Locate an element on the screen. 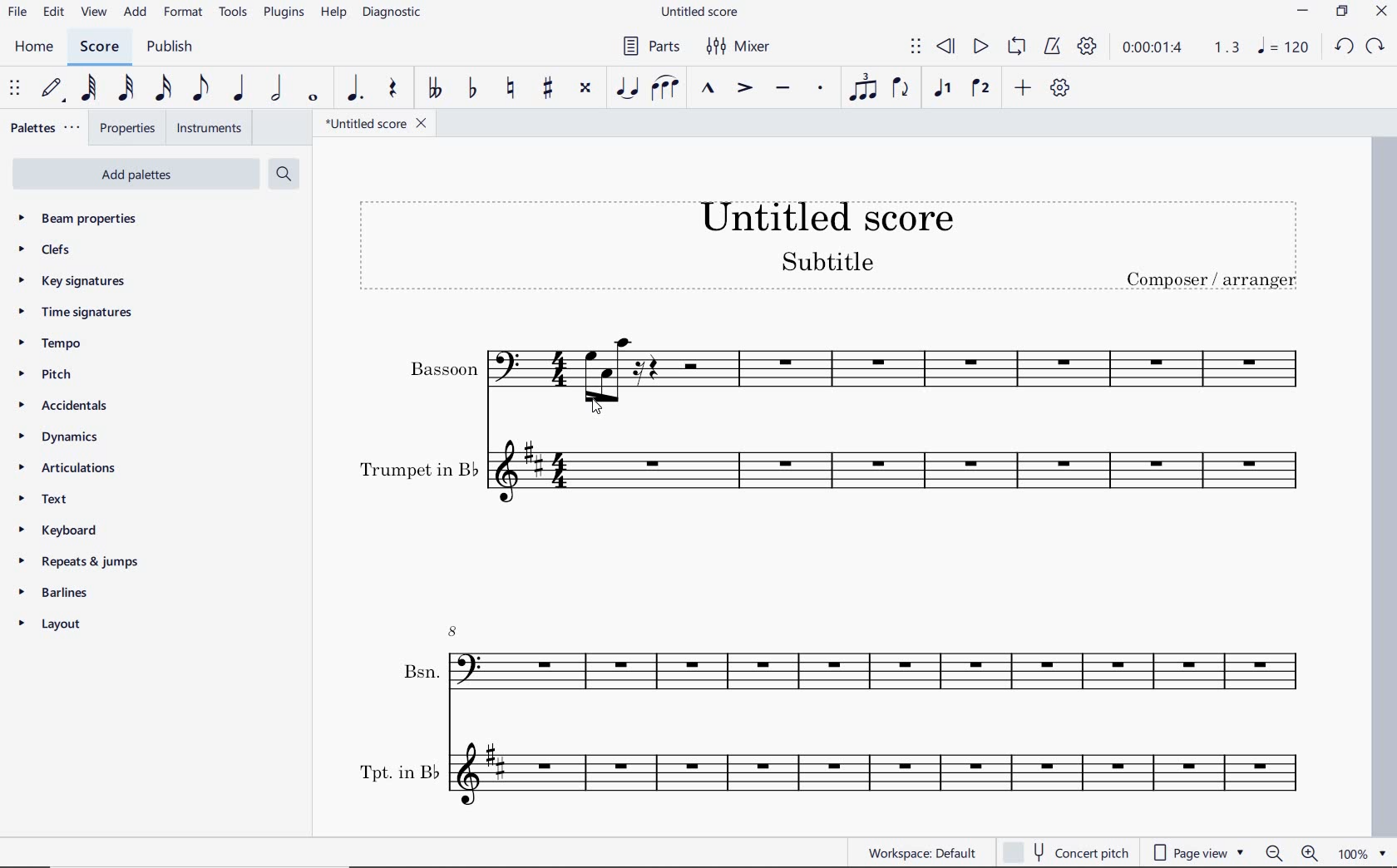 The image size is (1397, 868). toggle flat is located at coordinates (474, 87).